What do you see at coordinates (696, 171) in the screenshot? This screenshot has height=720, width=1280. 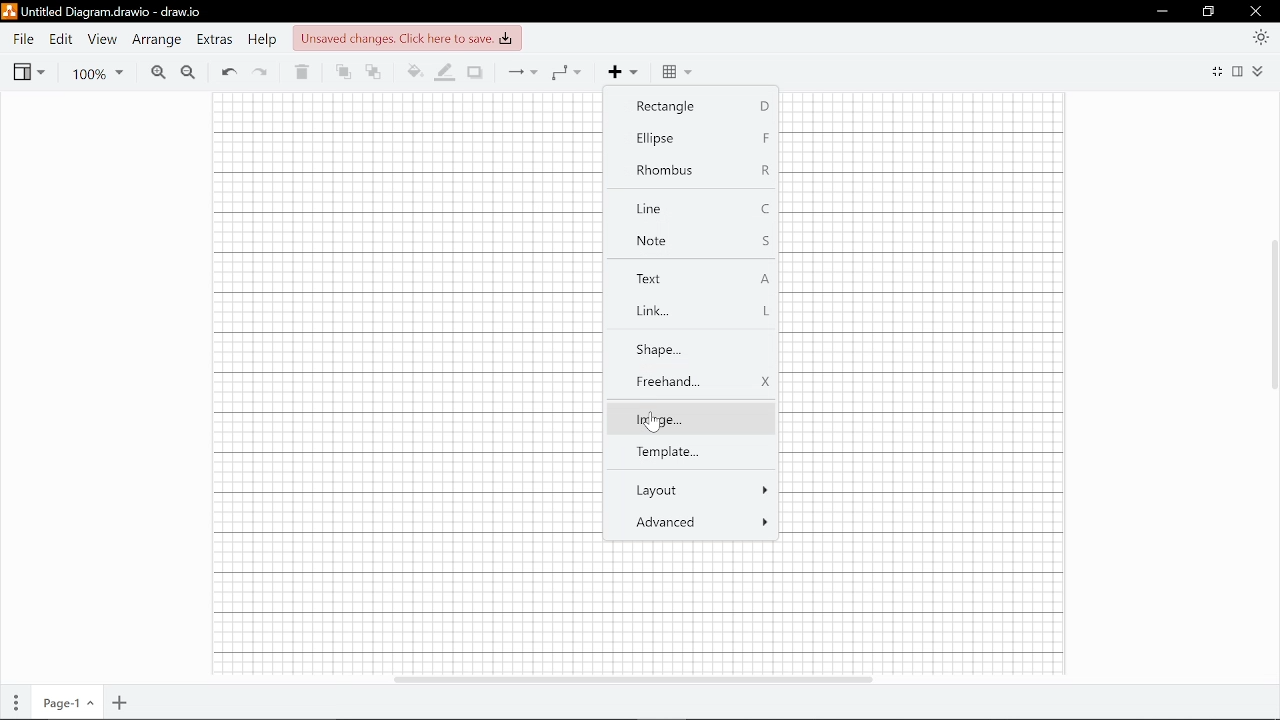 I see `Rhombus` at bounding box center [696, 171].